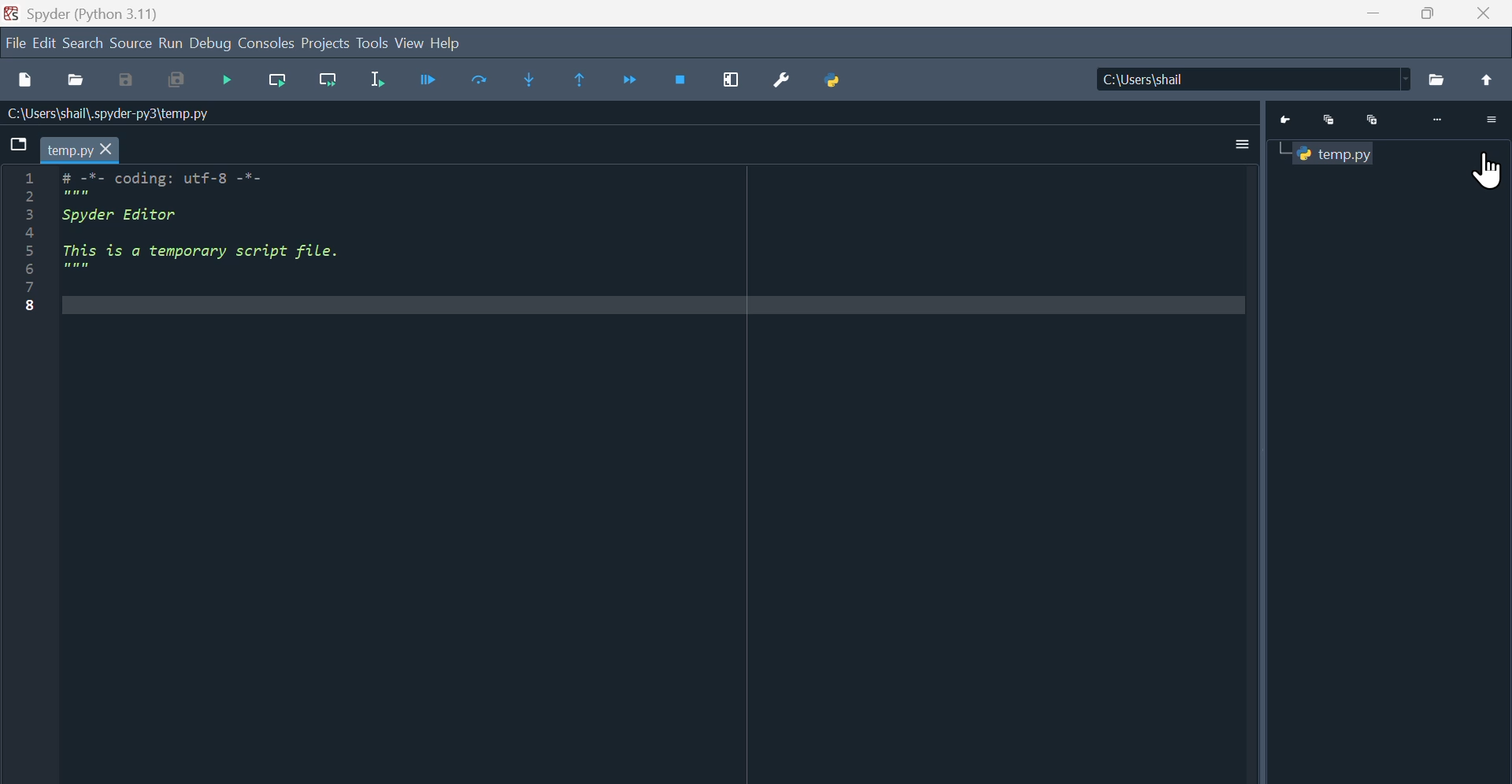 The height and width of the screenshot is (784, 1512). What do you see at coordinates (327, 85) in the screenshot?
I see `Run current line until next function` at bounding box center [327, 85].